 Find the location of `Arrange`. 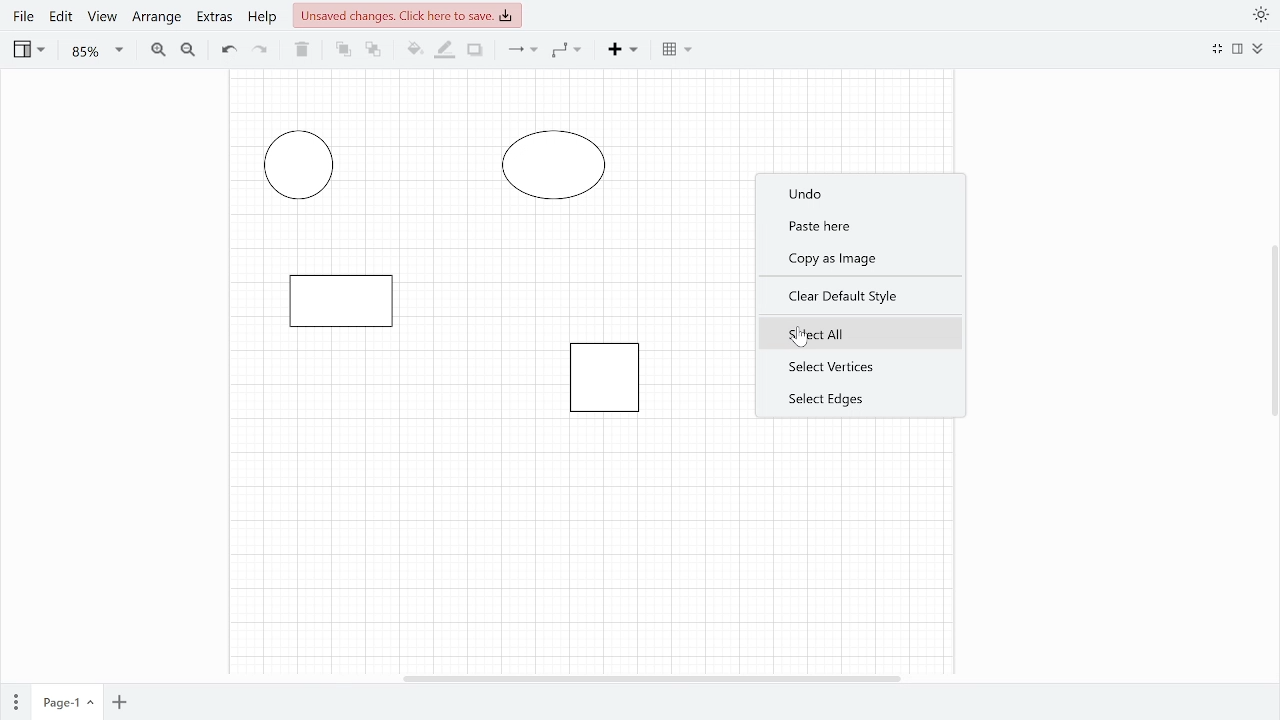

Arrange is located at coordinates (158, 21).